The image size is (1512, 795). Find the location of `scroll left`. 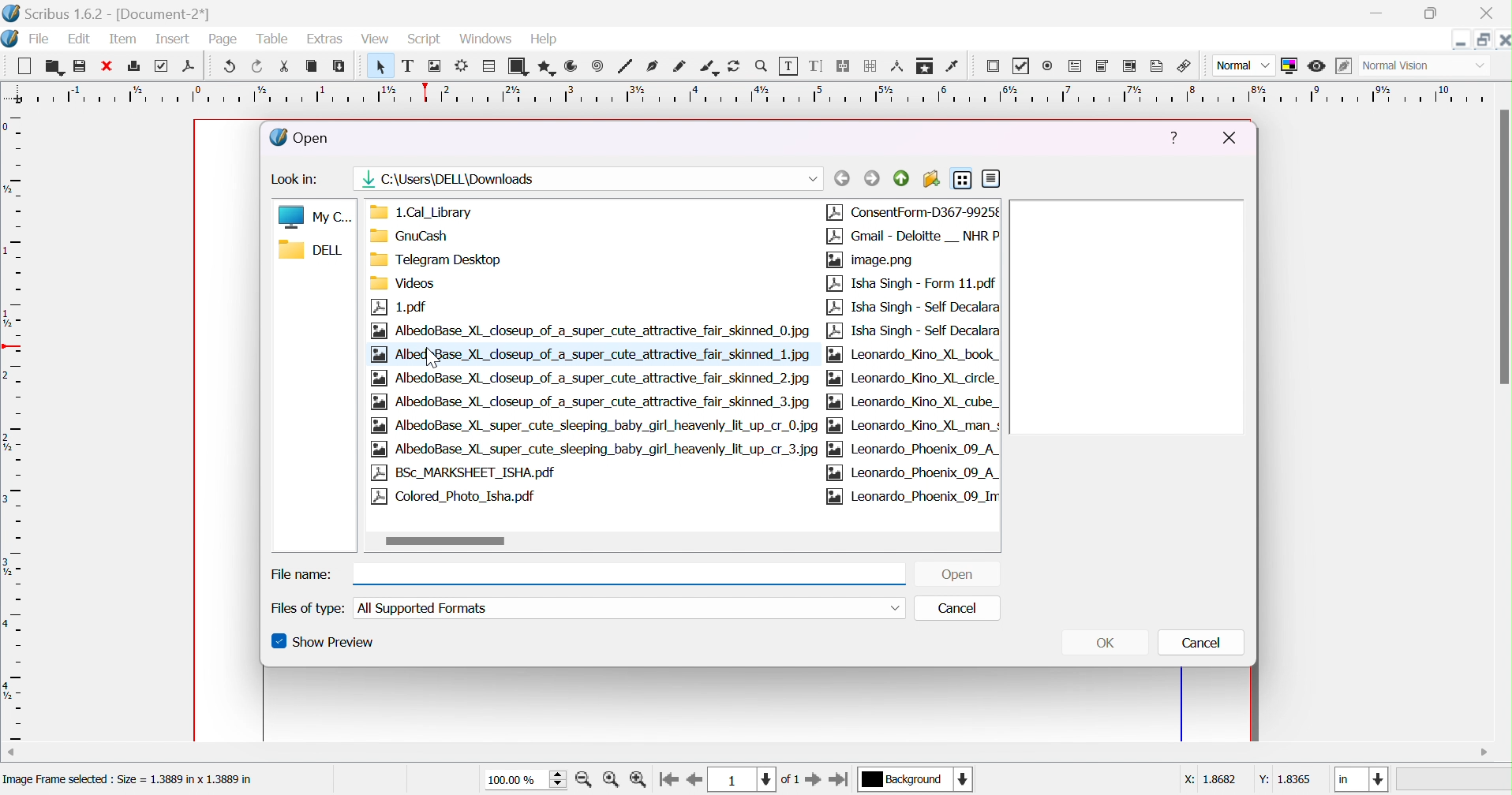

scroll left is located at coordinates (9, 751).